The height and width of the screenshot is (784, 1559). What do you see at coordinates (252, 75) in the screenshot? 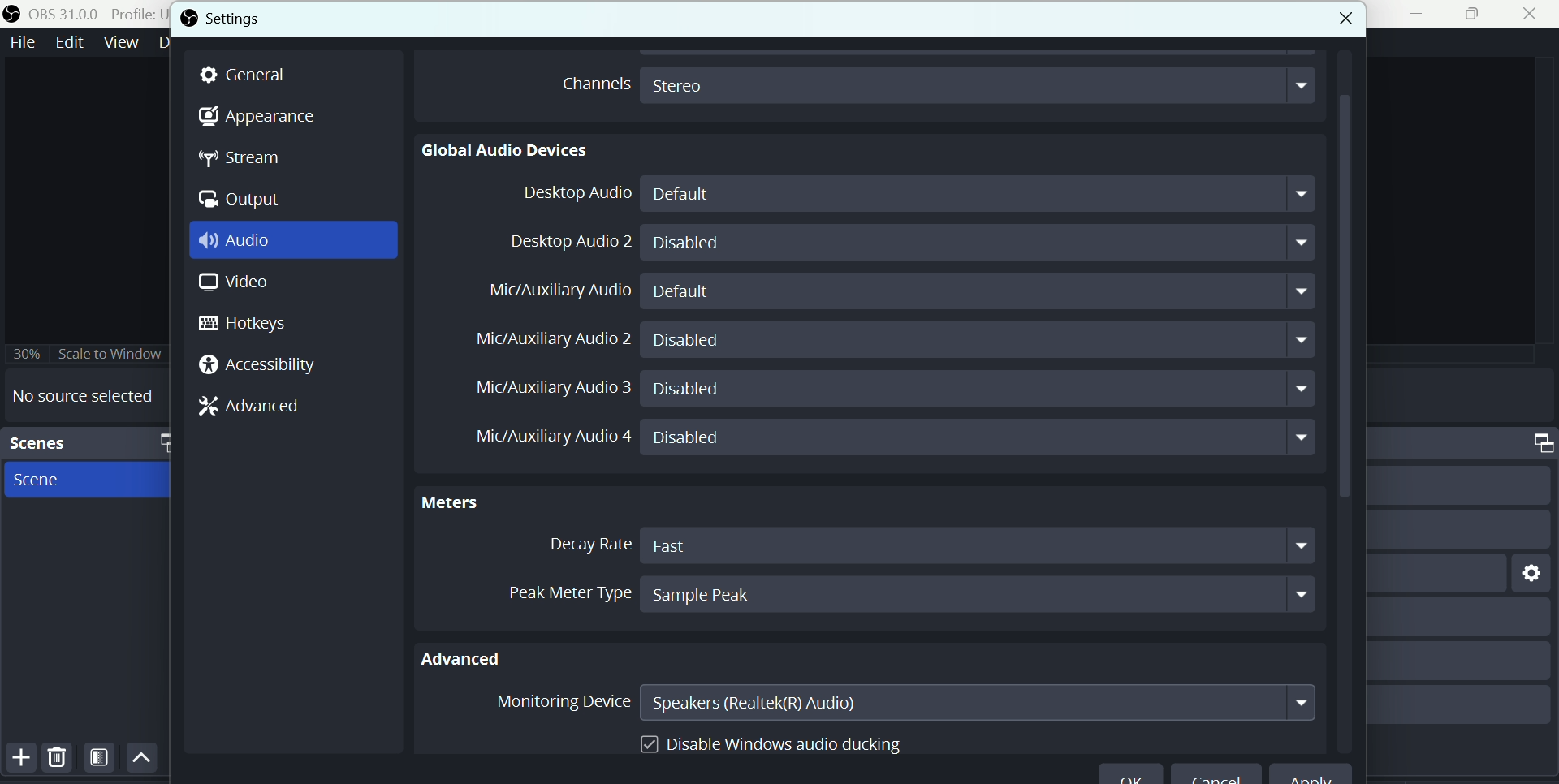
I see `general` at bounding box center [252, 75].